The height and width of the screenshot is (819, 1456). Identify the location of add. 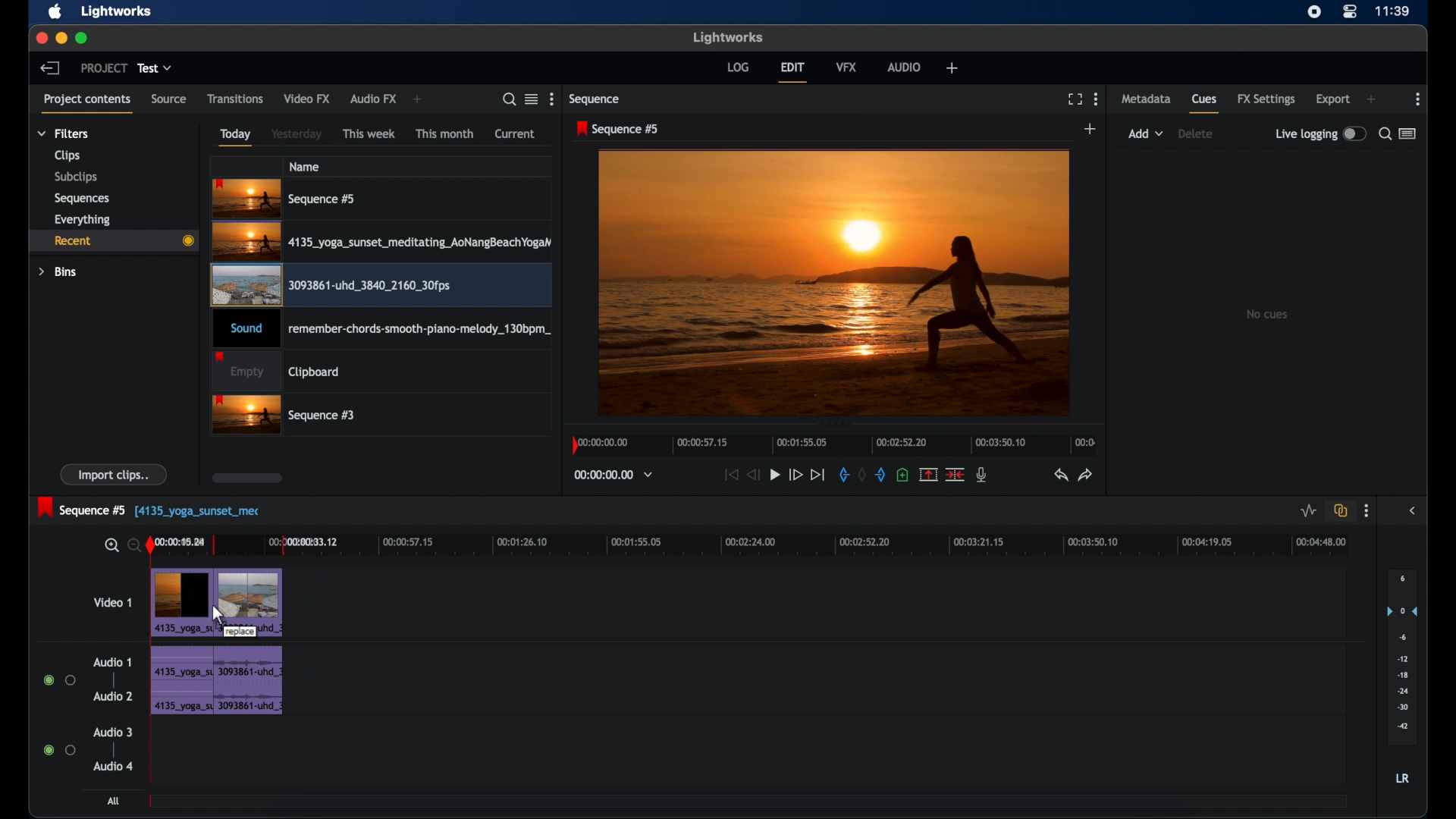
(952, 67).